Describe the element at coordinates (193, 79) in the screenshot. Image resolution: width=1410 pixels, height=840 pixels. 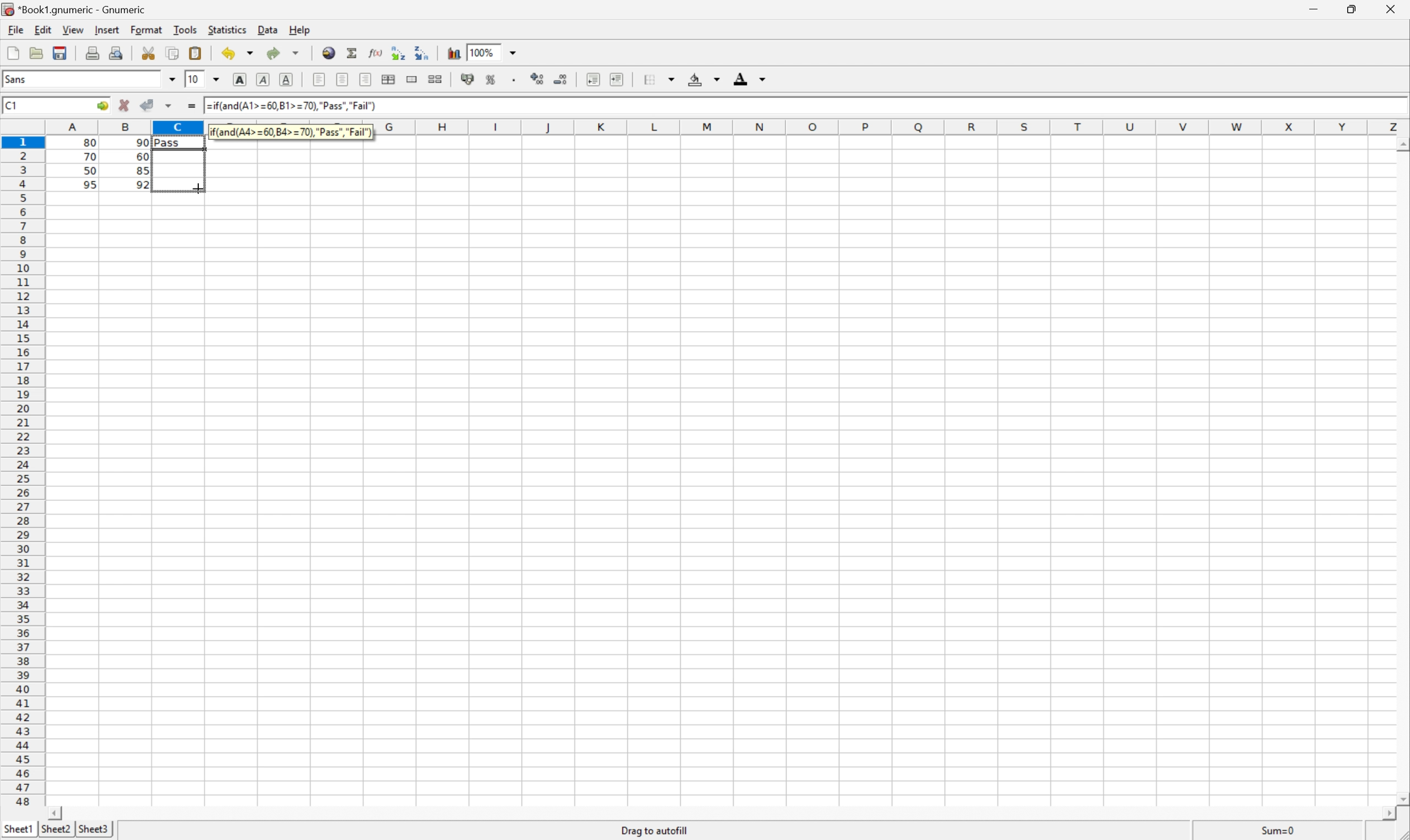
I see `10` at that location.